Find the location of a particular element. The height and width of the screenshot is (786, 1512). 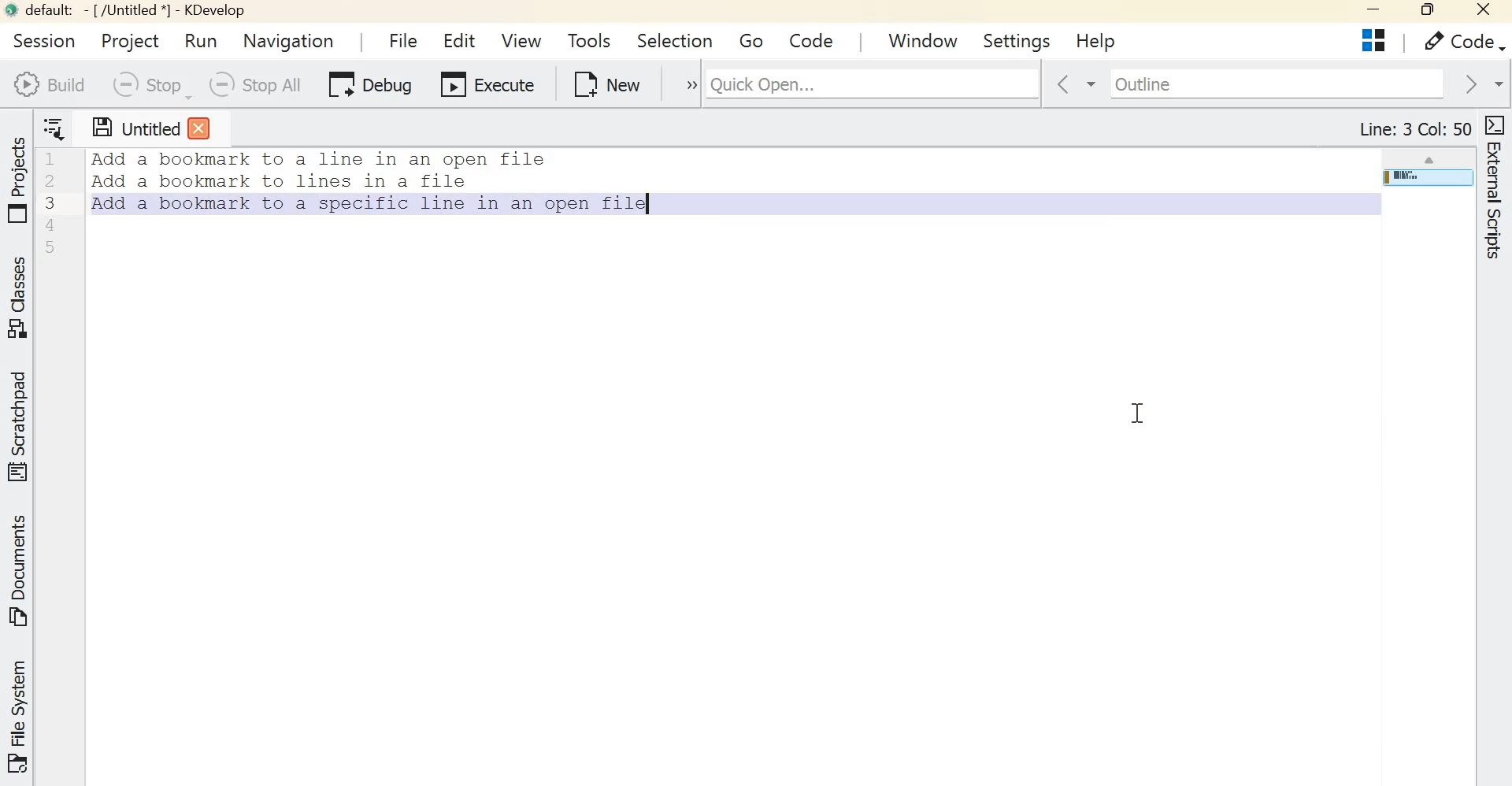

code is located at coordinates (812, 39).